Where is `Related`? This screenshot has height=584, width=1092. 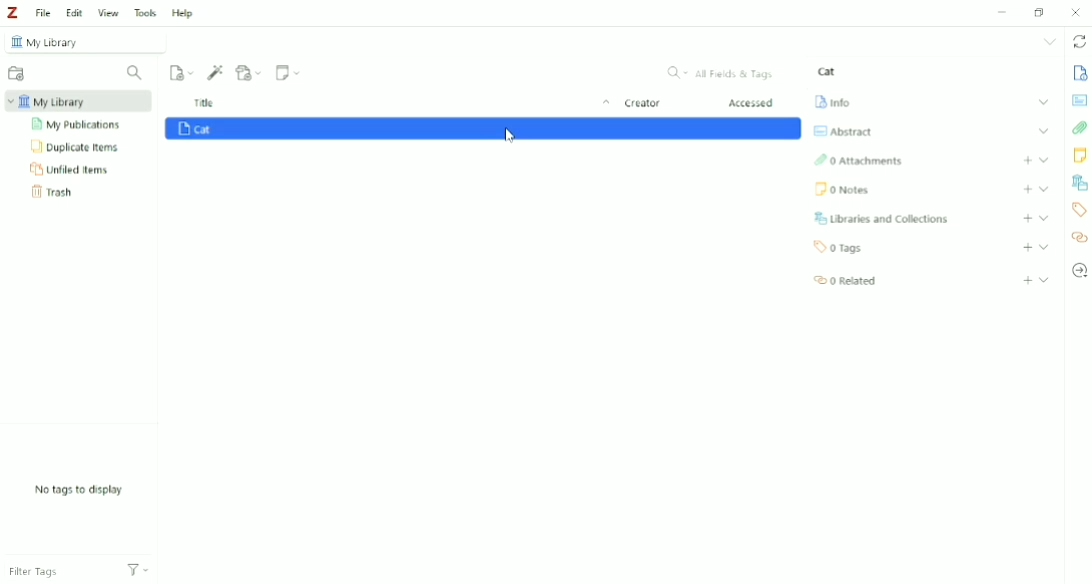
Related is located at coordinates (843, 279).